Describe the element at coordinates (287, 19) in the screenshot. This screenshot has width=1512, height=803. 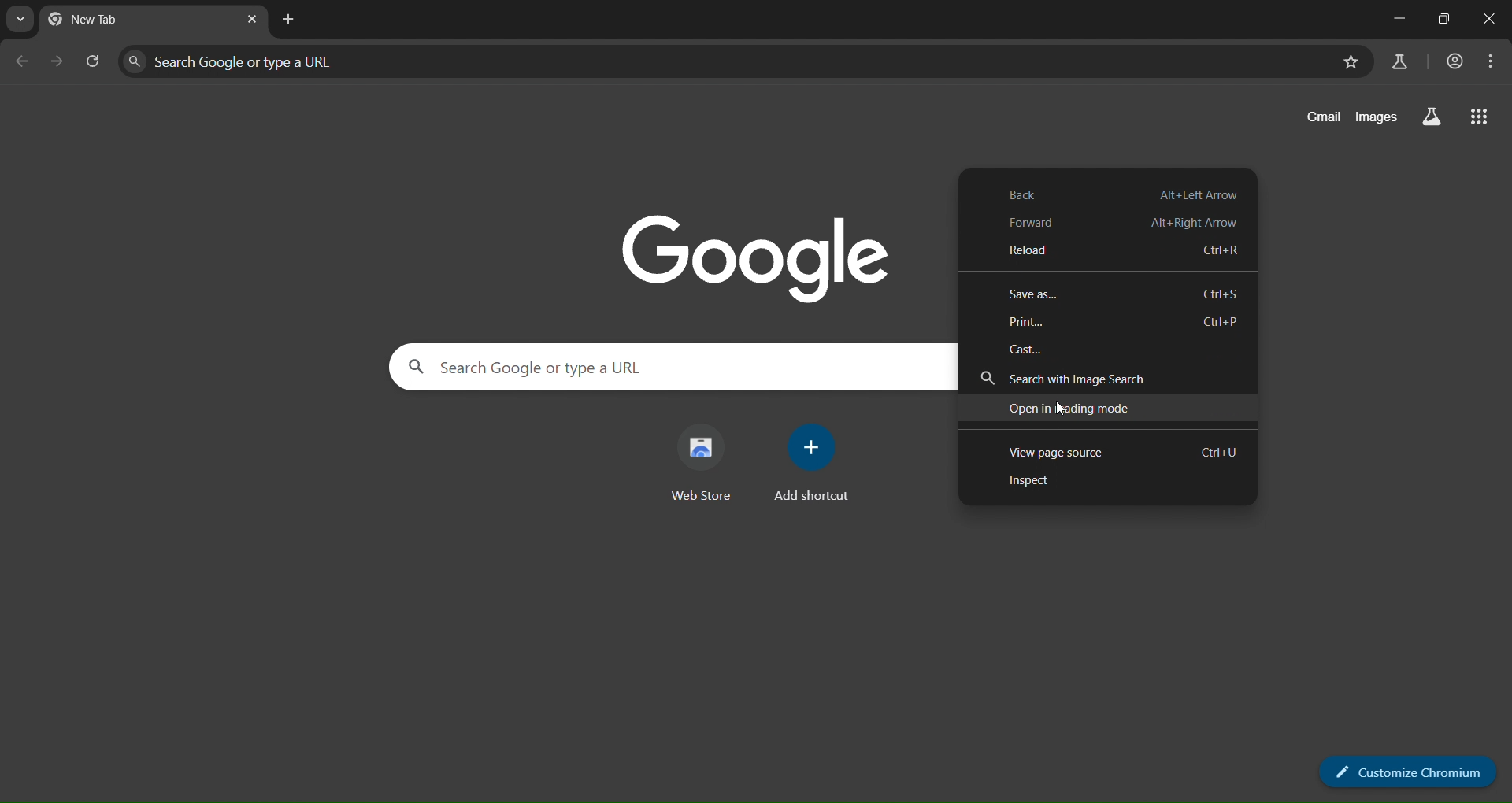
I see `new tab` at that location.